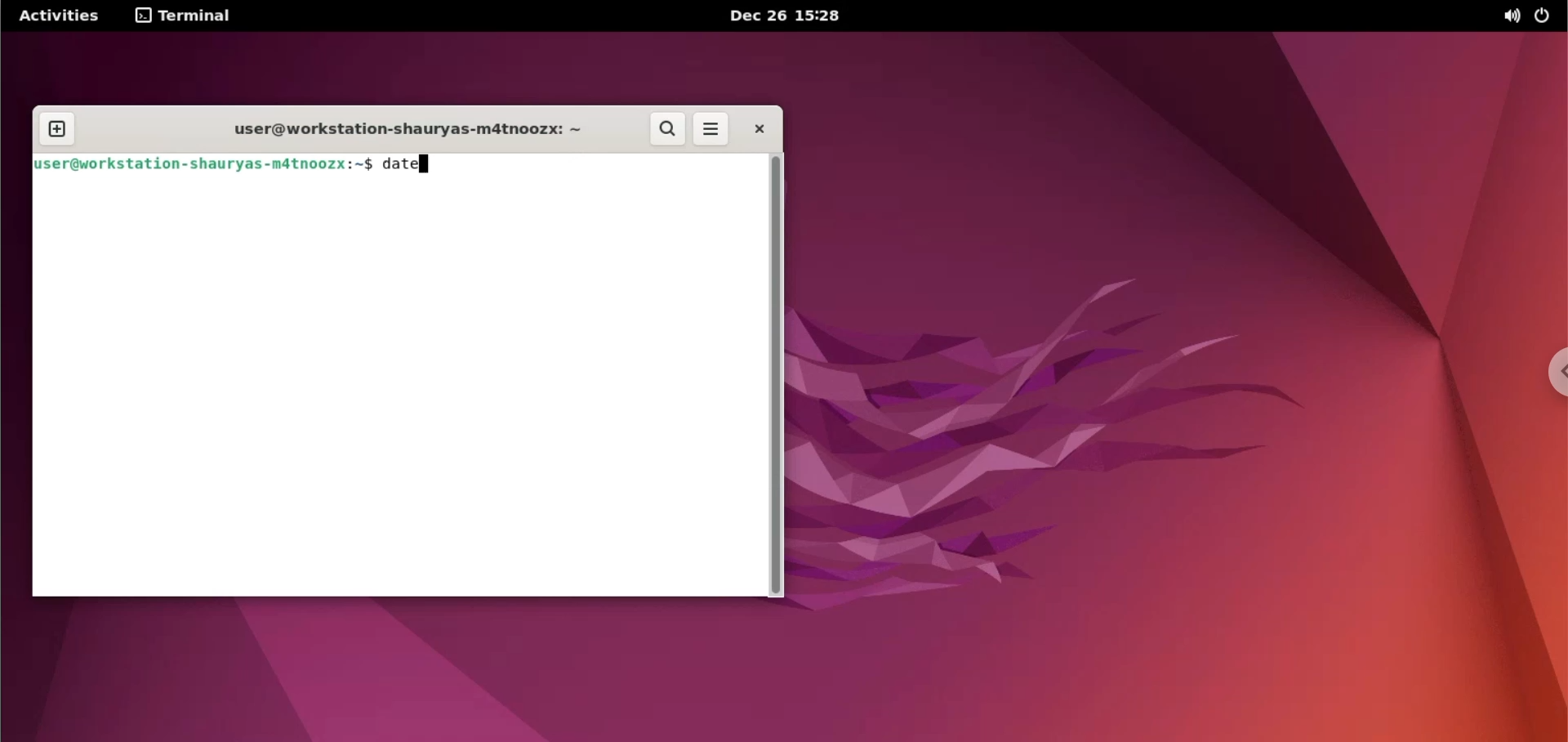 This screenshot has height=742, width=1568. Describe the element at coordinates (57, 131) in the screenshot. I see `new terminal tab` at that location.